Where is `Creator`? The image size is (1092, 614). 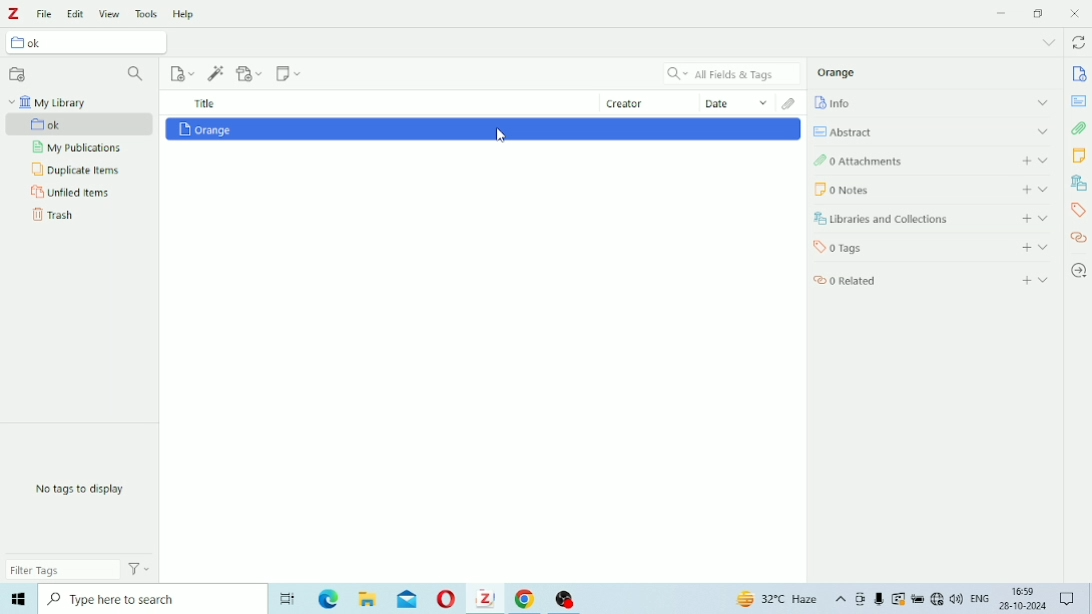
Creator is located at coordinates (650, 102).